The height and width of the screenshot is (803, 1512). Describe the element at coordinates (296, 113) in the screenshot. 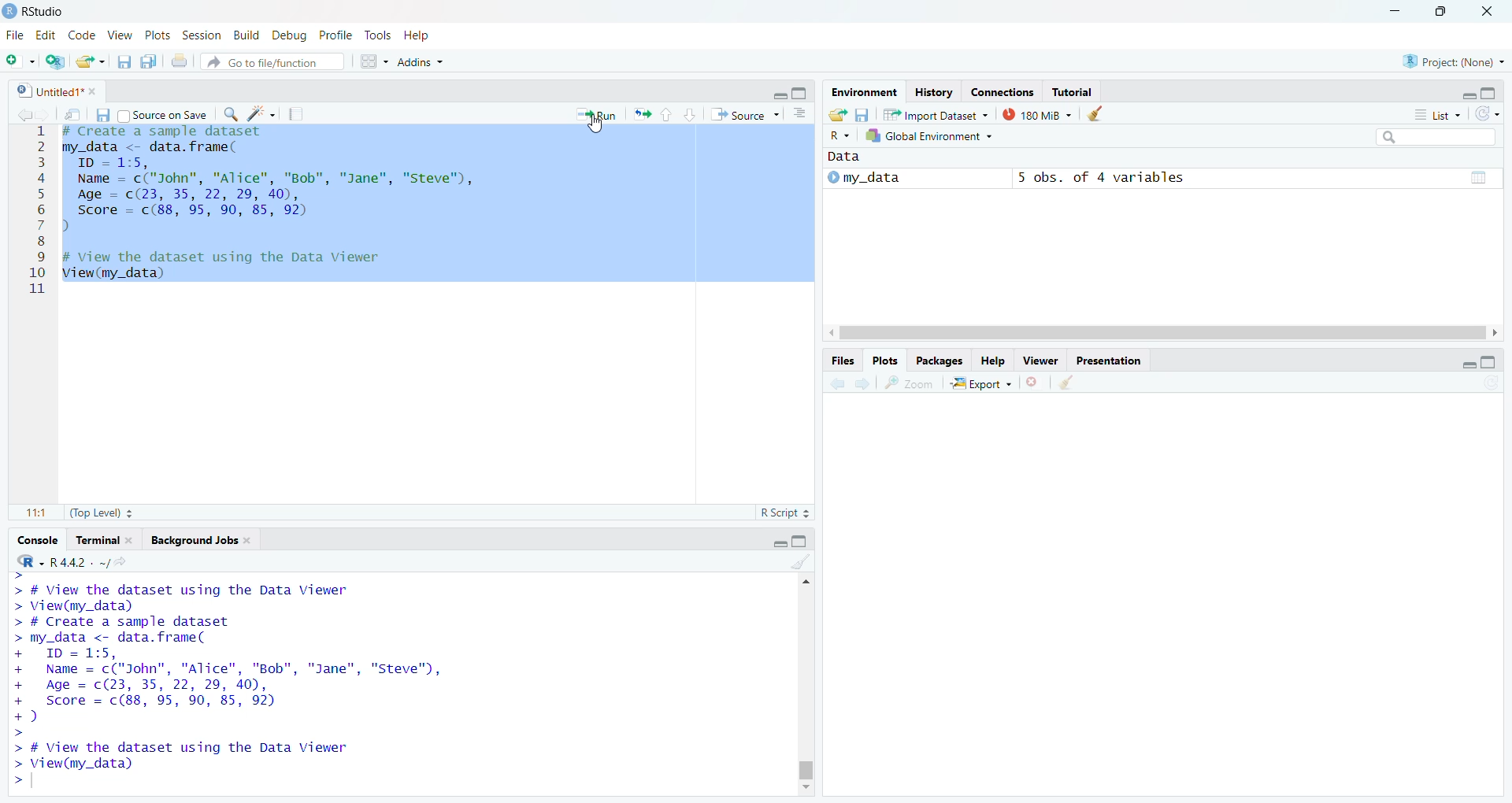

I see `Pages` at that location.